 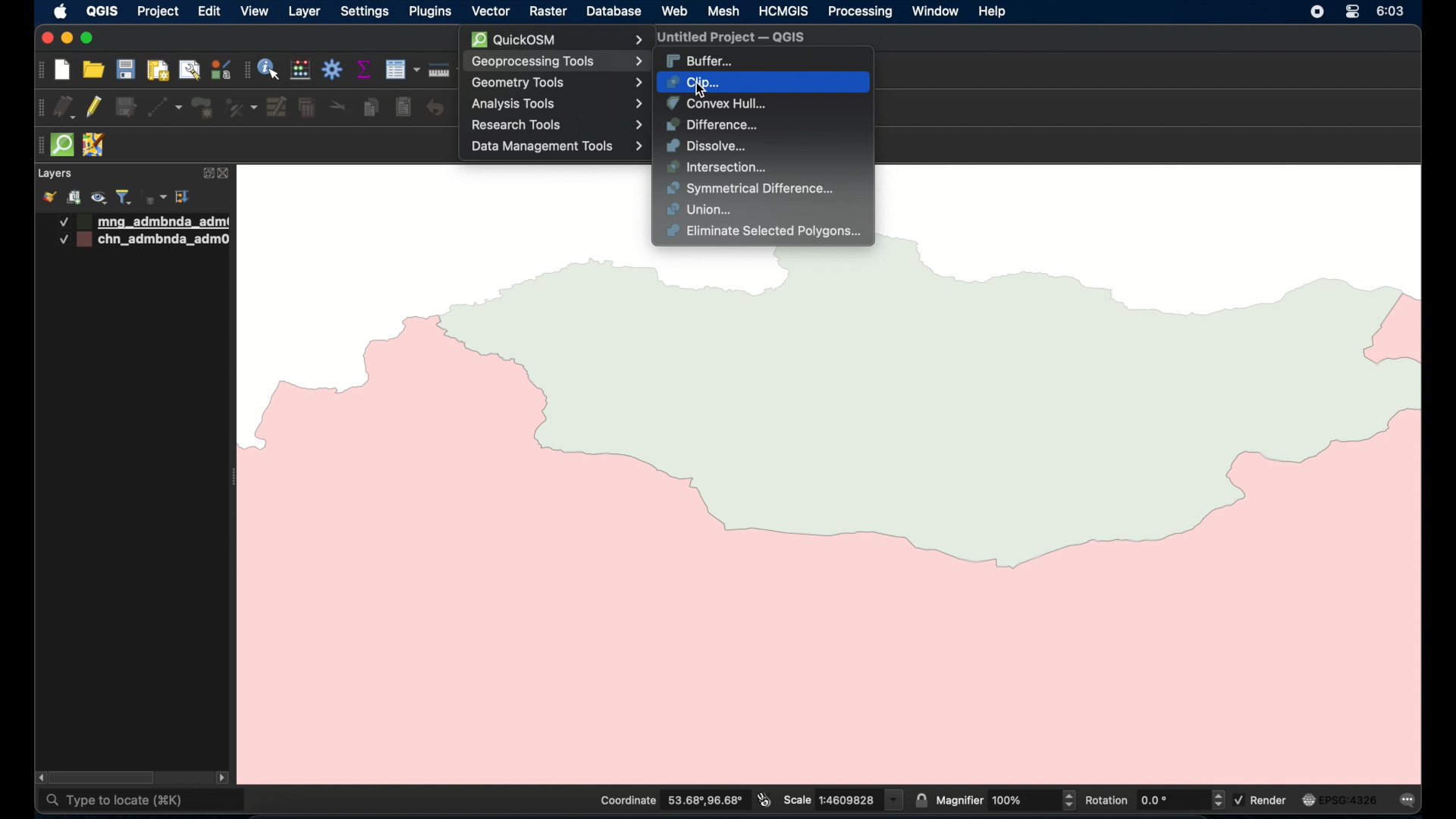 What do you see at coordinates (227, 174) in the screenshot?
I see `close` at bounding box center [227, 174].